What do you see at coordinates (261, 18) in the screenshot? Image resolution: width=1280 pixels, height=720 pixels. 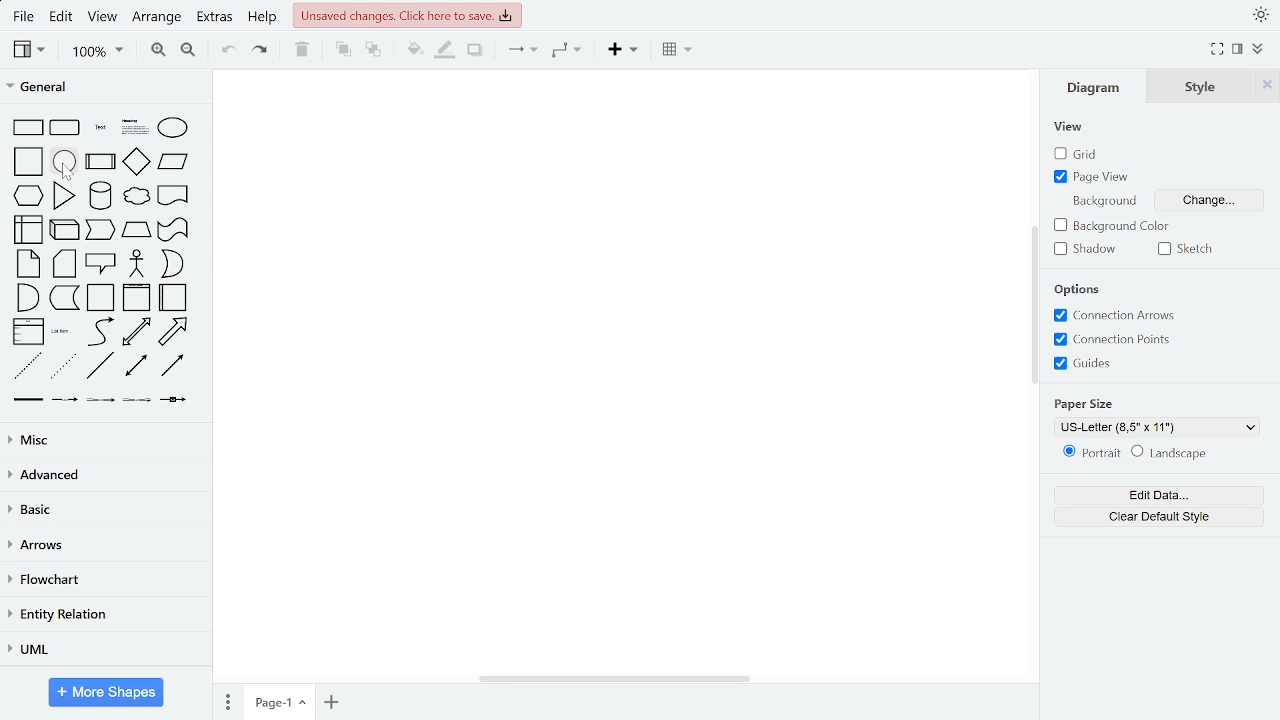 I see `help` at bounding box center [261, 18].